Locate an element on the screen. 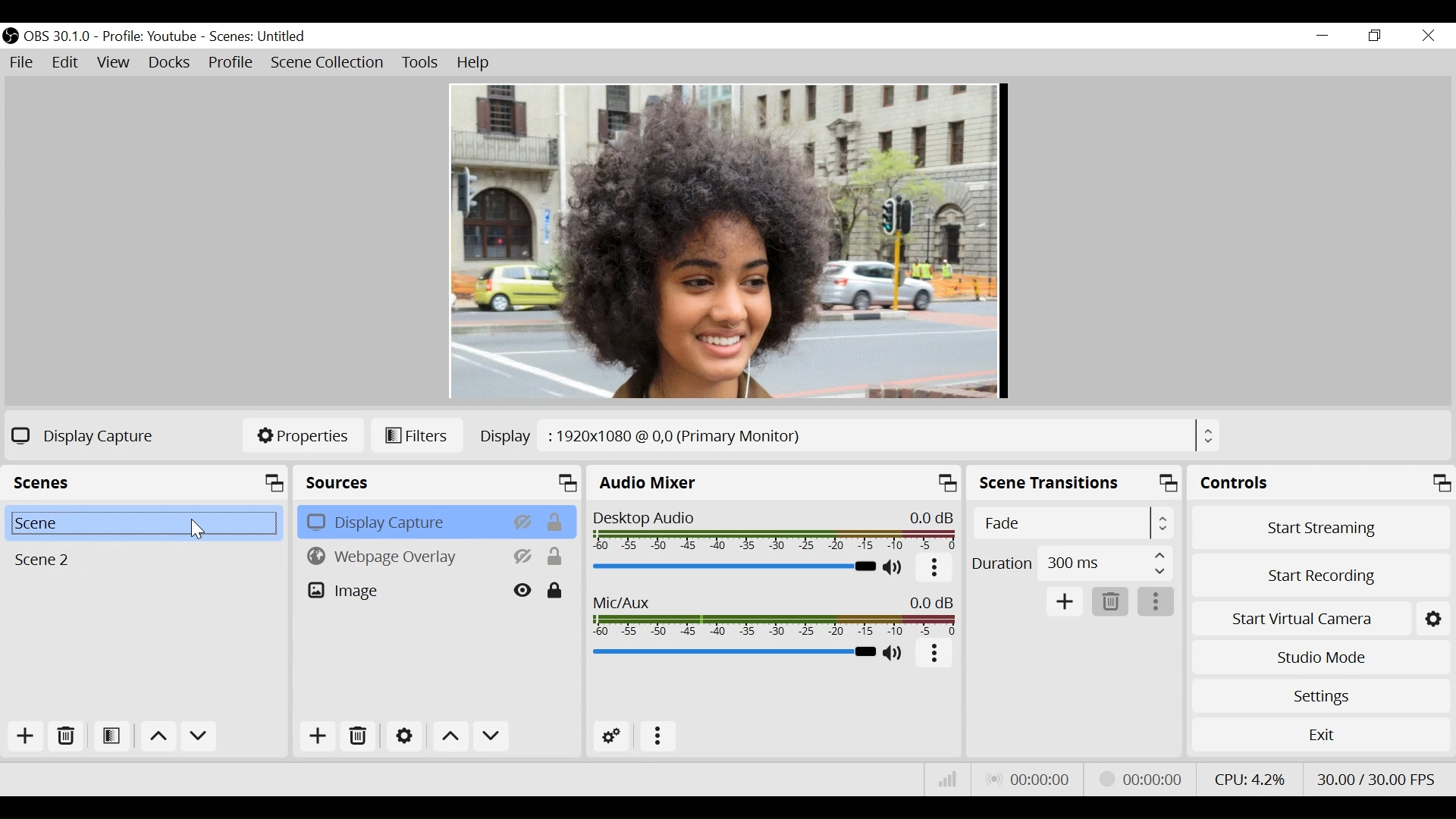  Scene Name is located at coordinates (258, 37).